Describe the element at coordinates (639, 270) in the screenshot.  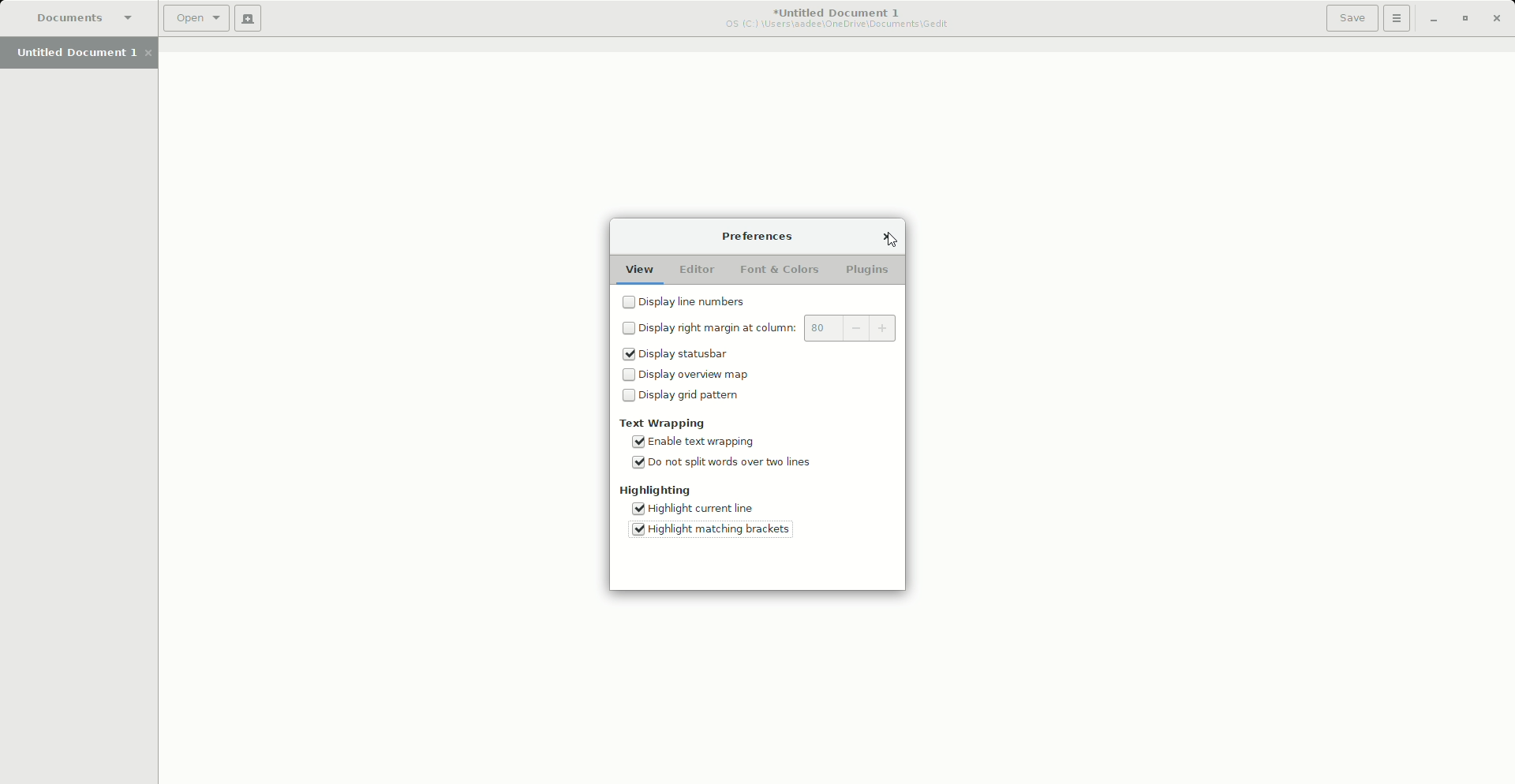
I see `View` at that location.